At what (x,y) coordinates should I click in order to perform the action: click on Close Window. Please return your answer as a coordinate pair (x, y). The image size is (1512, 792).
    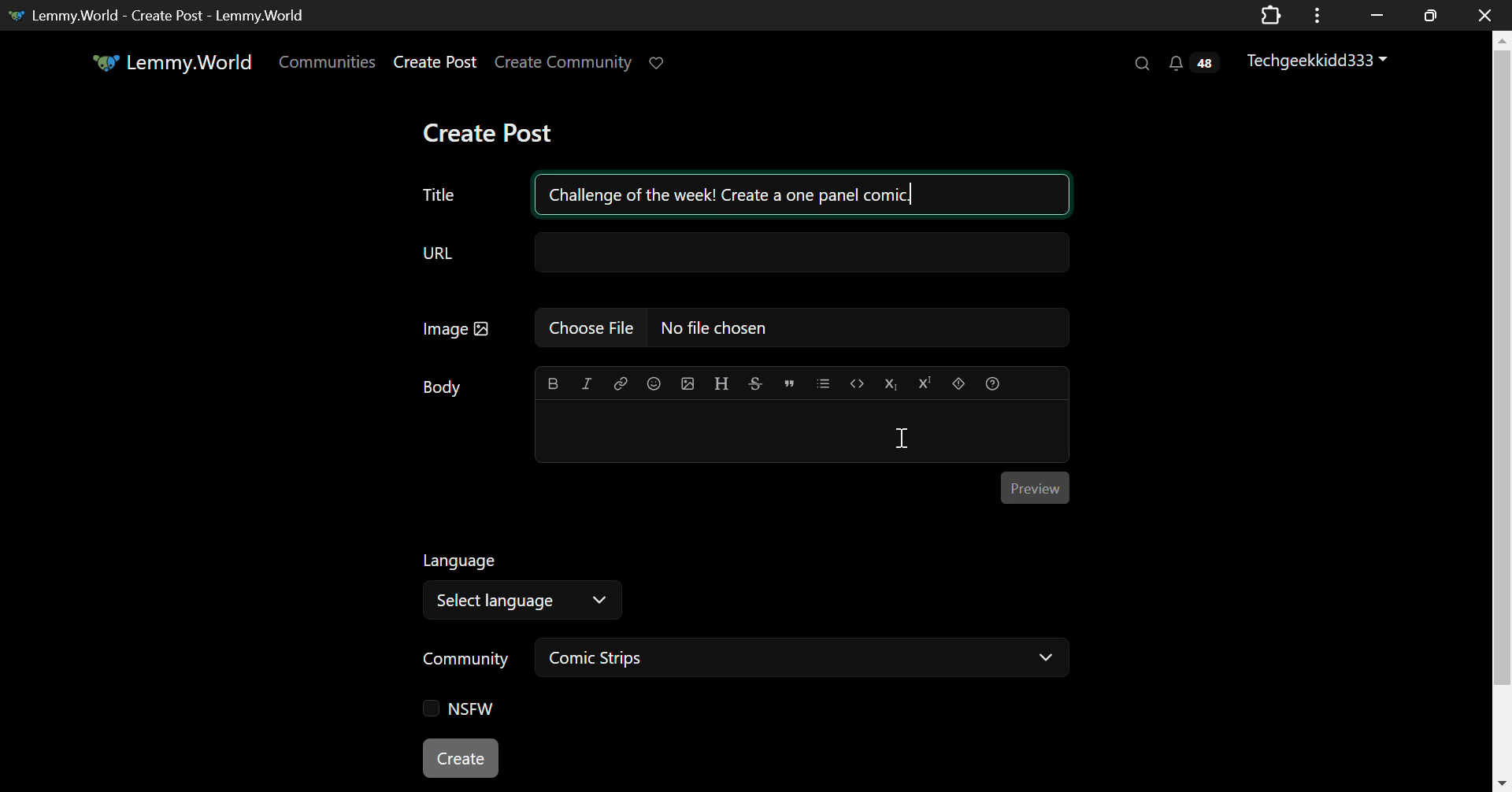
    Looking at the image, I should click on (1480, 13).